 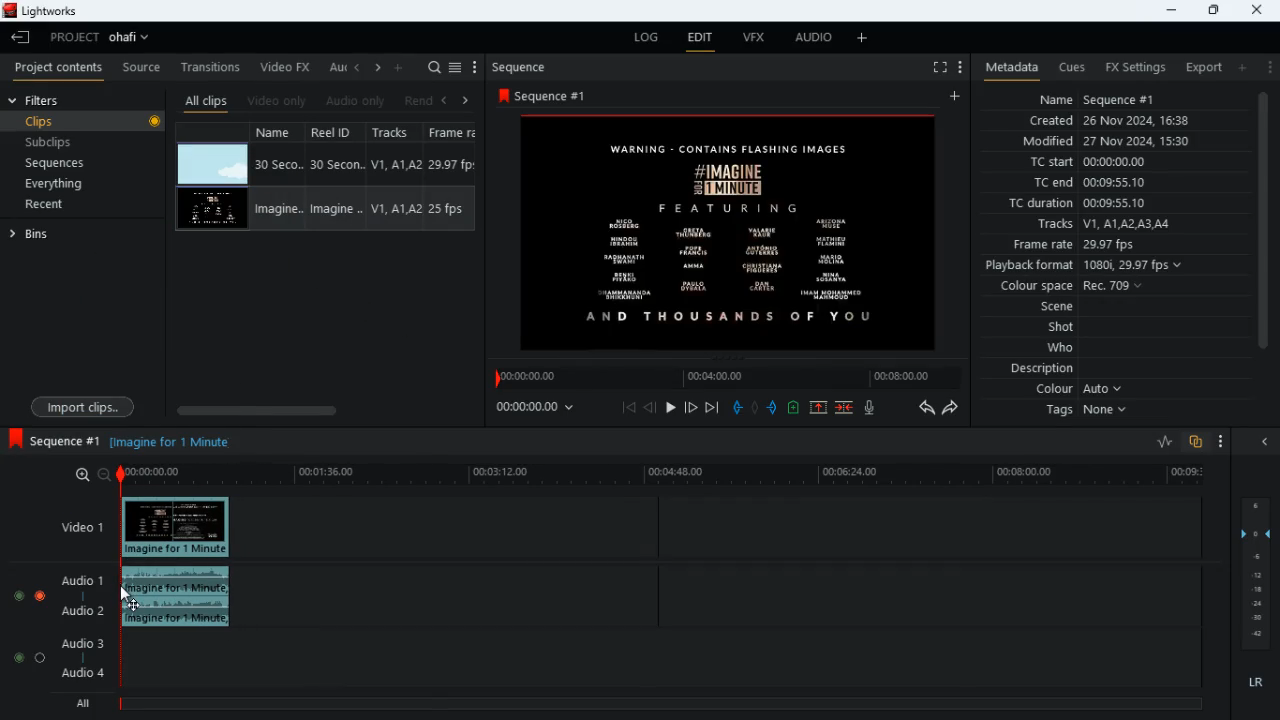 I want to click on all, so click(x=80, y=704).